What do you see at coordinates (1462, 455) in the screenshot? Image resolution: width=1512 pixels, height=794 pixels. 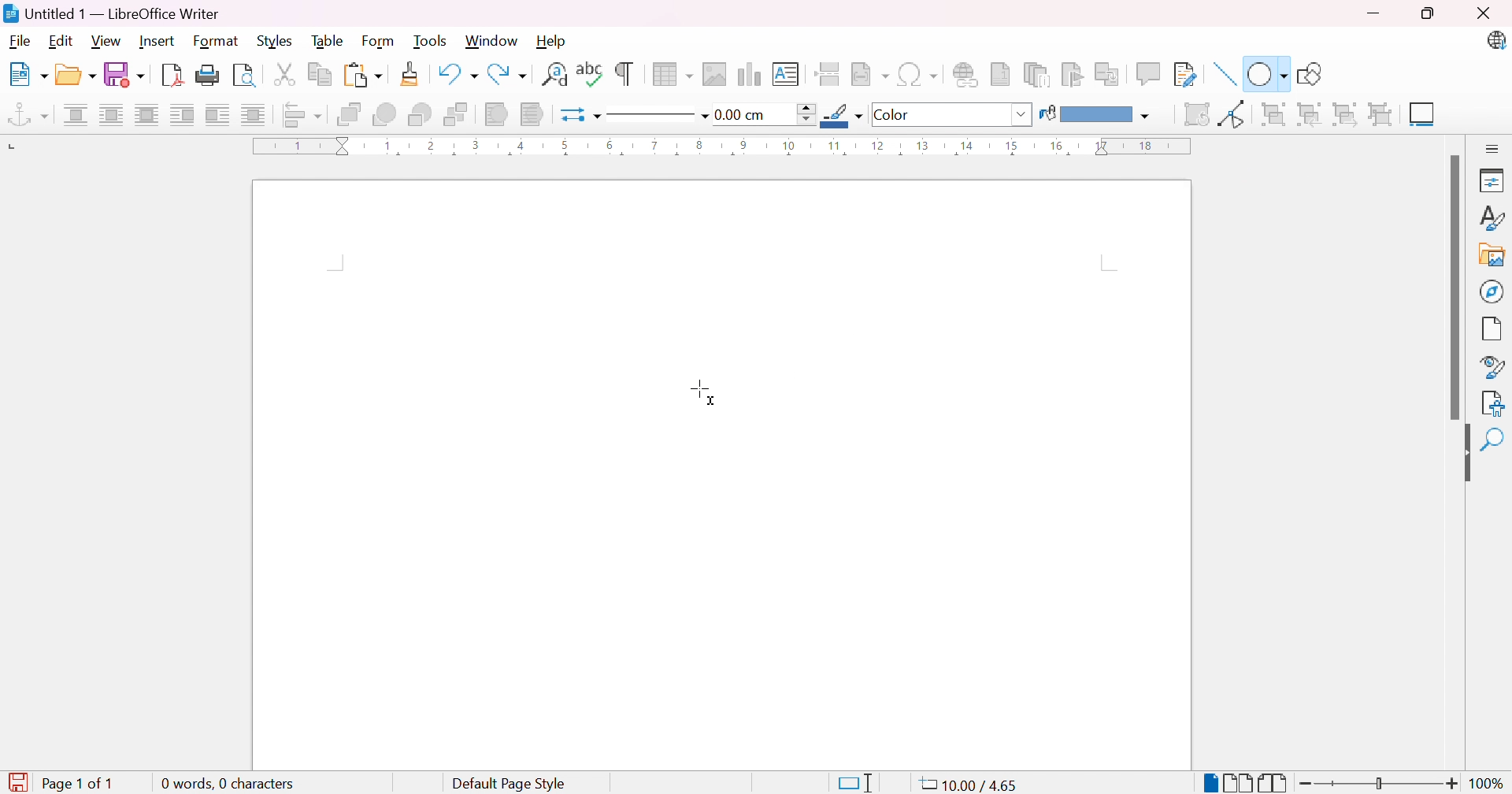 I see `Hide` at bounding box center [1462, 455].